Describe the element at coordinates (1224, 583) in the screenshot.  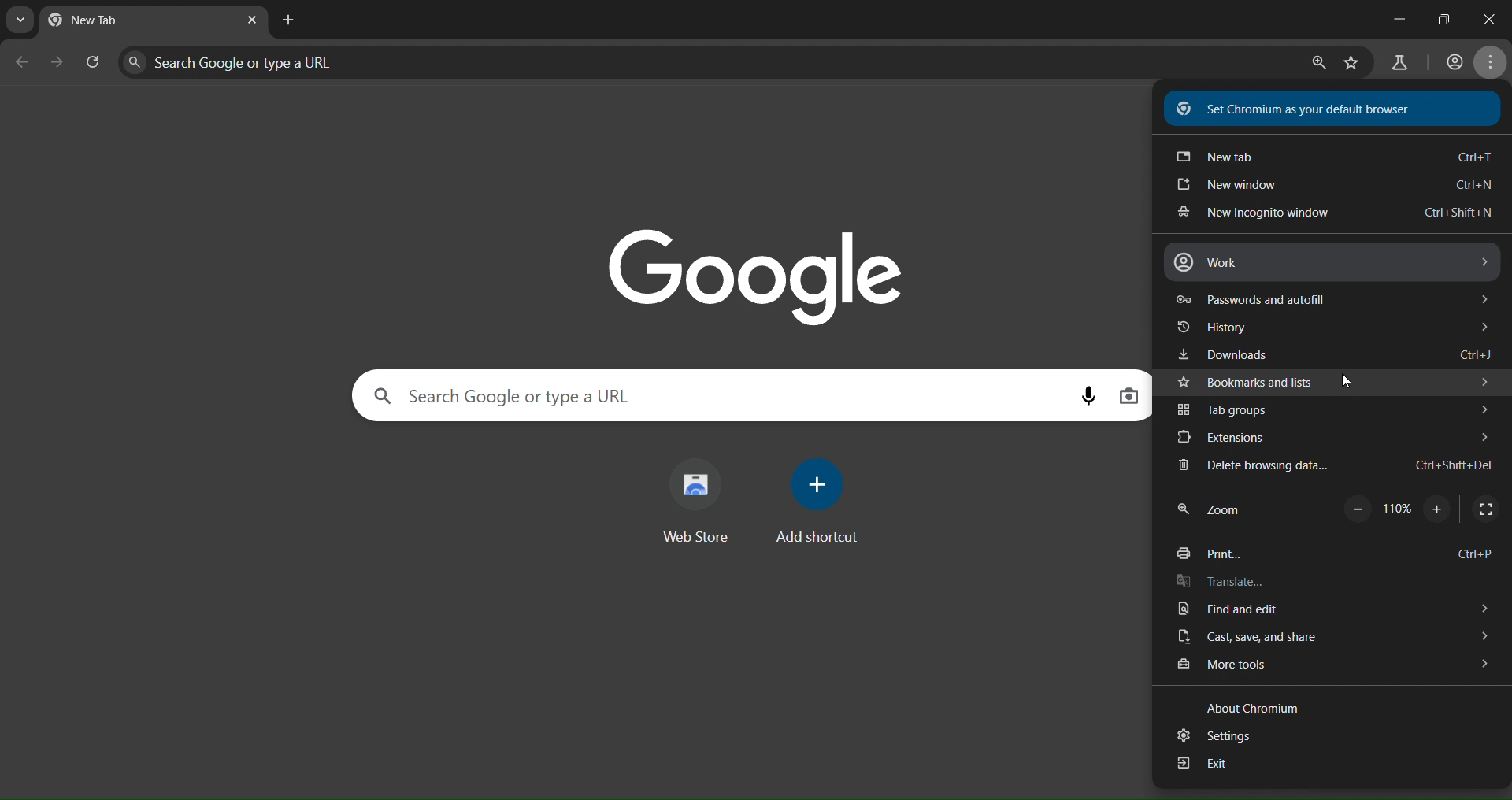
I see `translate` at that location.